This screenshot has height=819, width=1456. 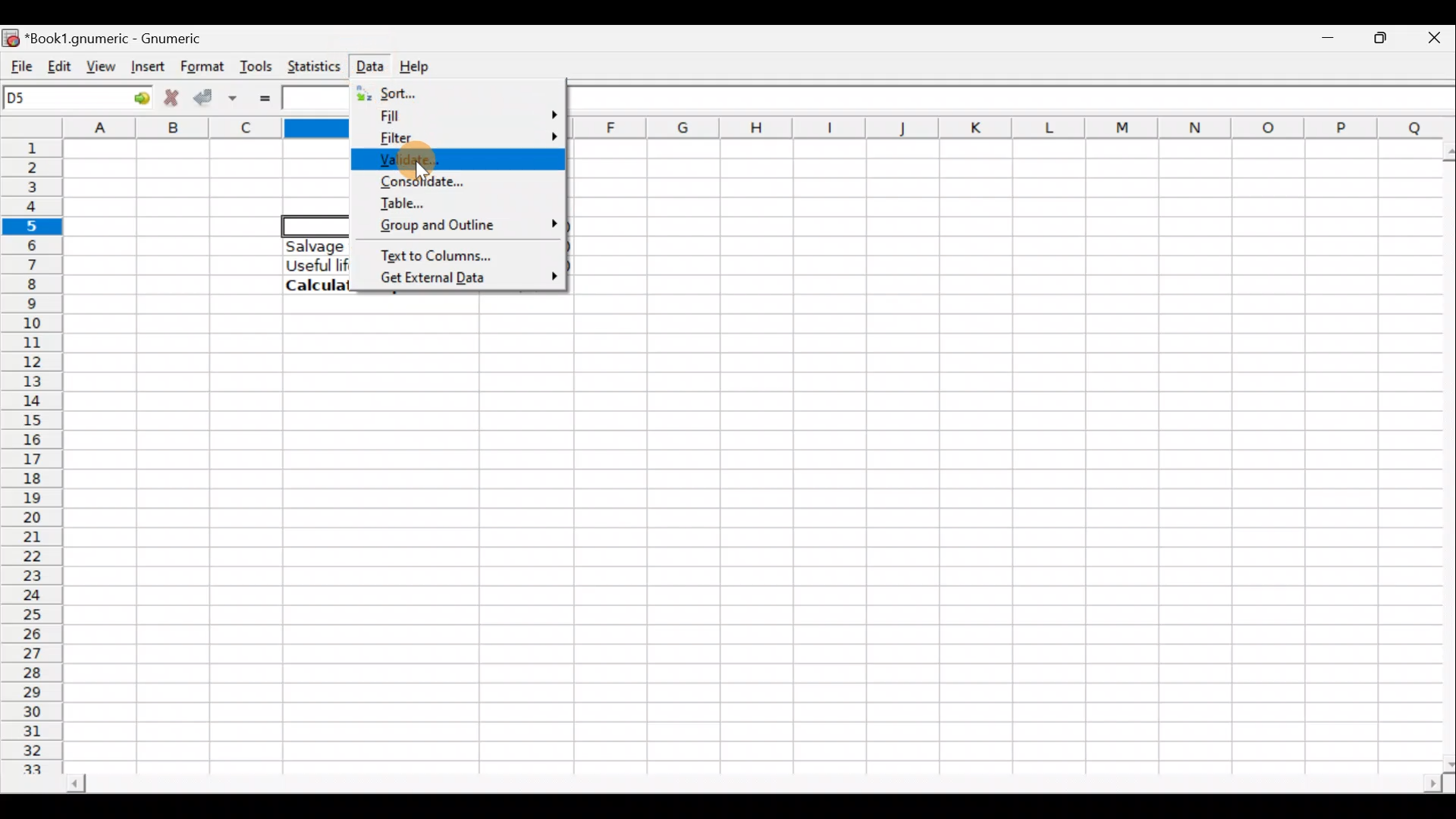 I want to click on View, so click(x=102, y=65).